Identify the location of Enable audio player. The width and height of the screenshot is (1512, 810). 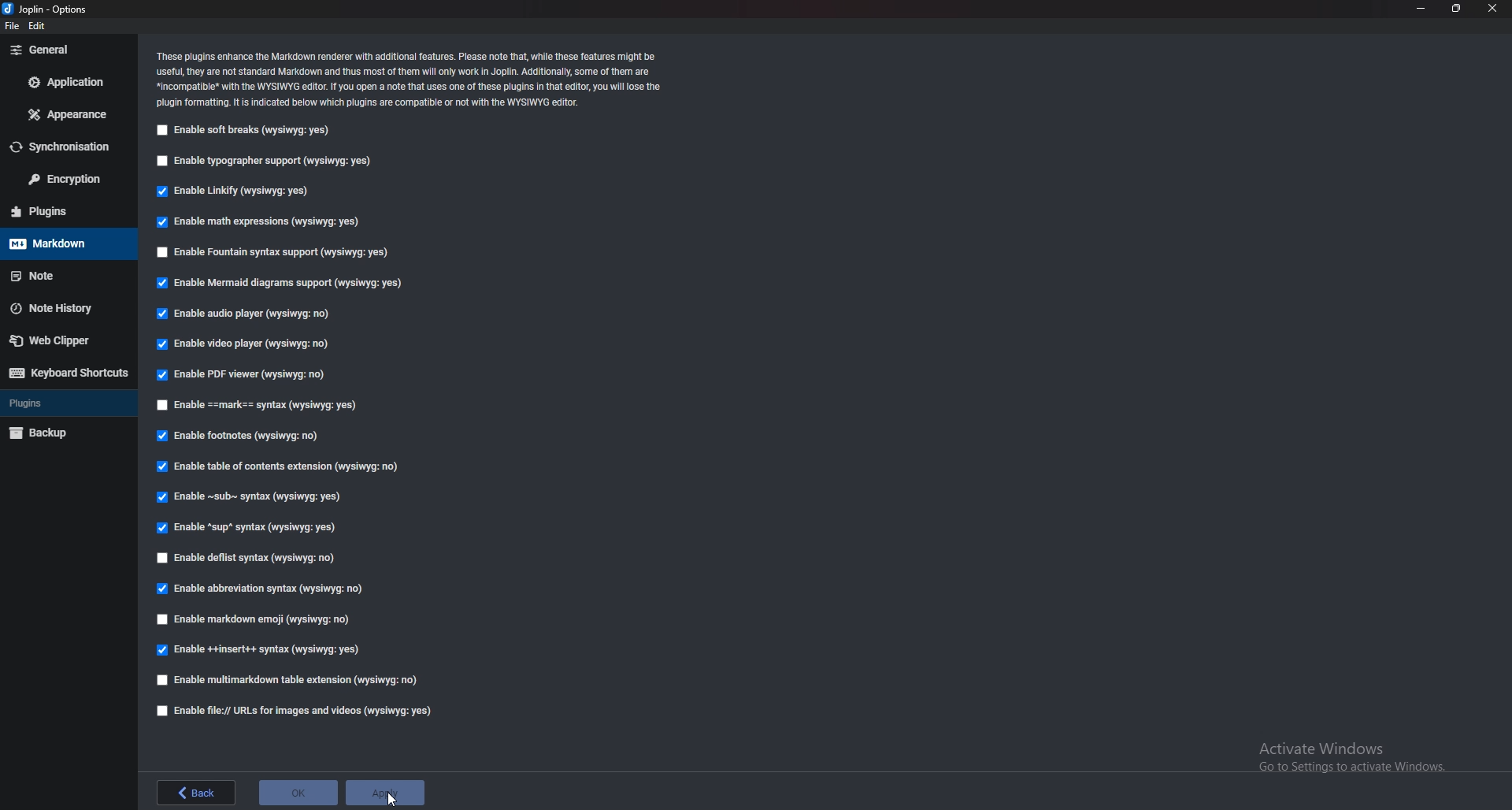
(256, 313).